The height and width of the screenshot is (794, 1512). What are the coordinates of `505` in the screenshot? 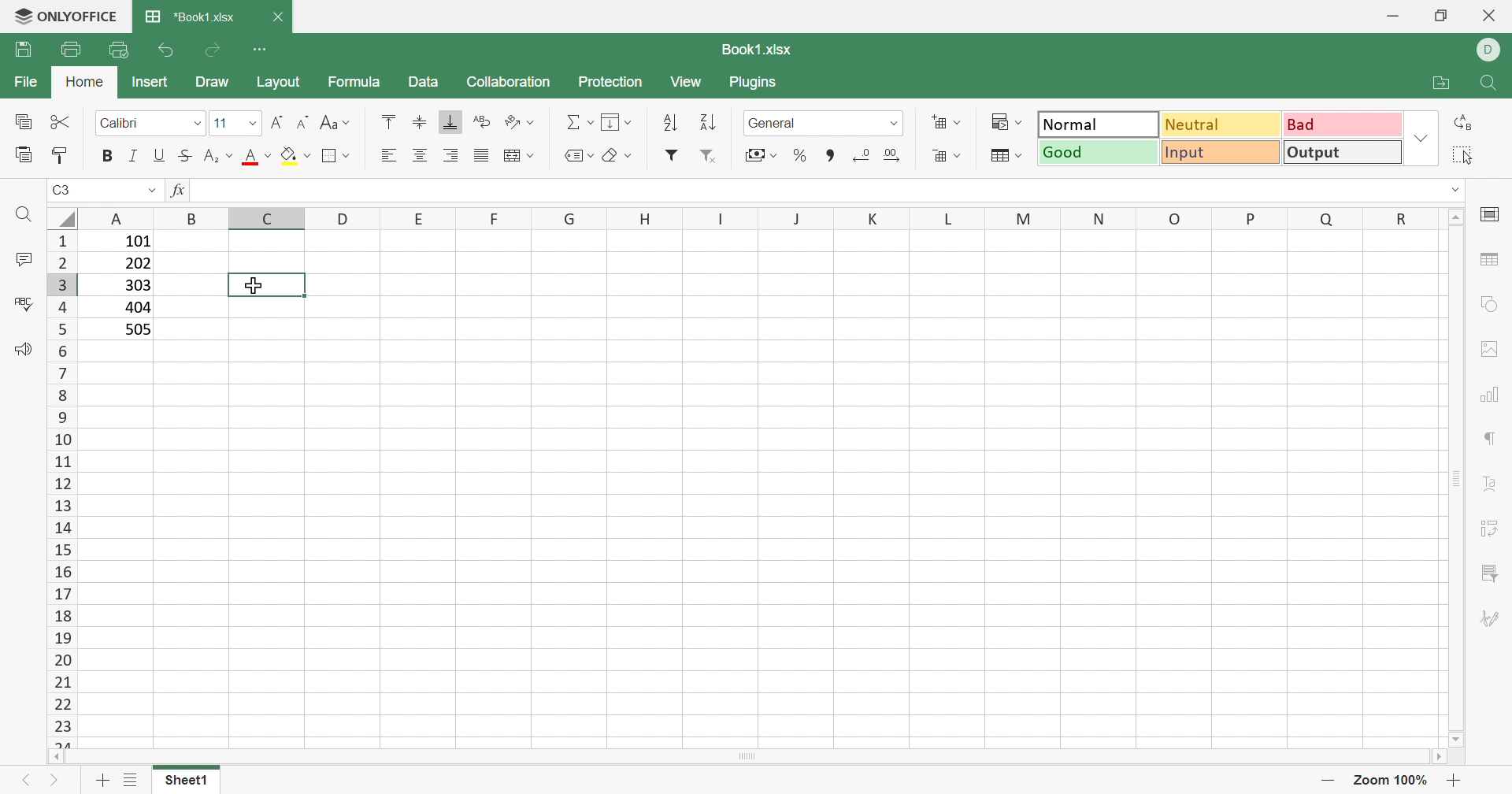 It's located at (139, 329).